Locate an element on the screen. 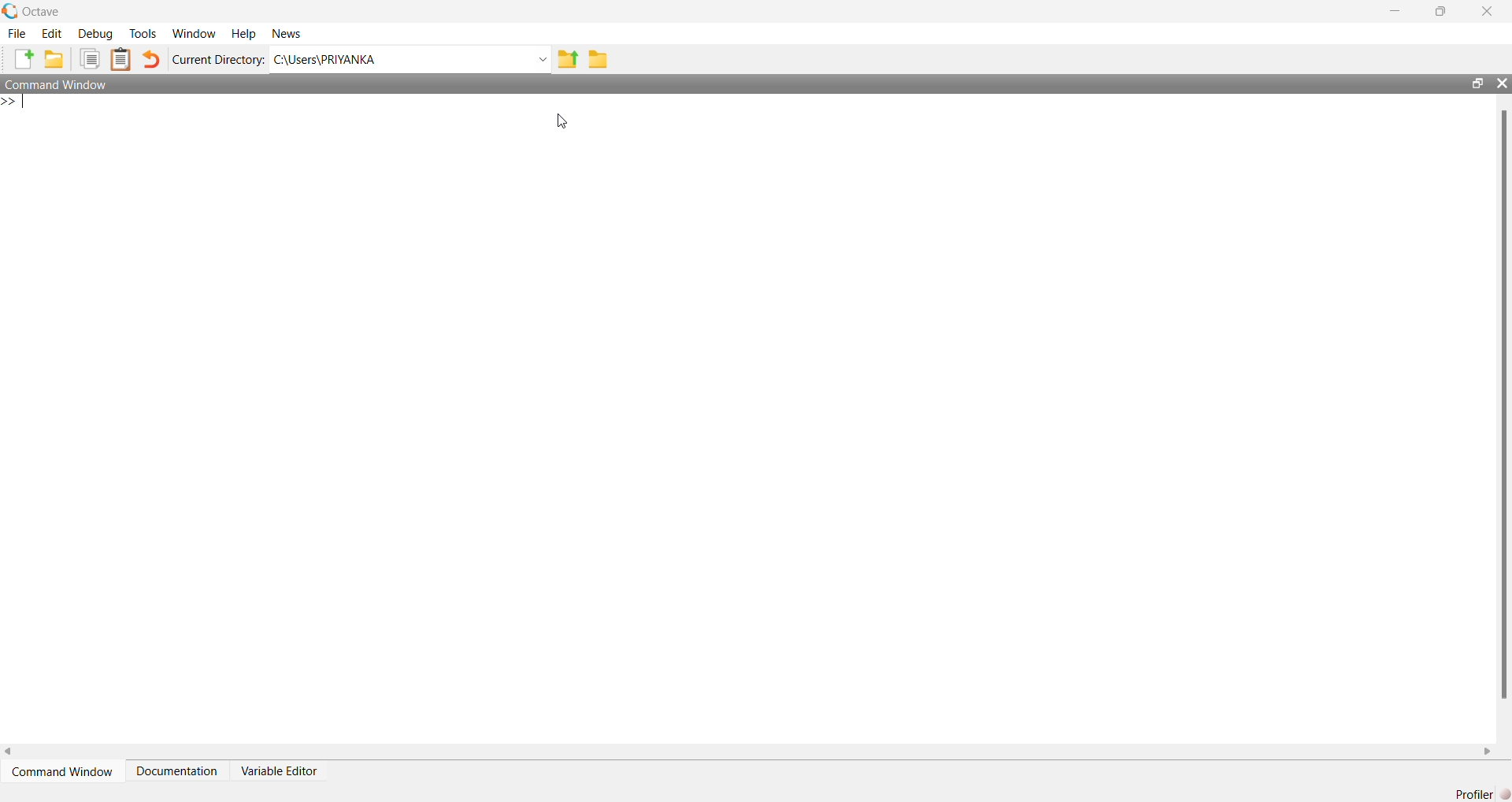 This screenshot has height=802, width=1512. close is located at coordinates (1492, 9).